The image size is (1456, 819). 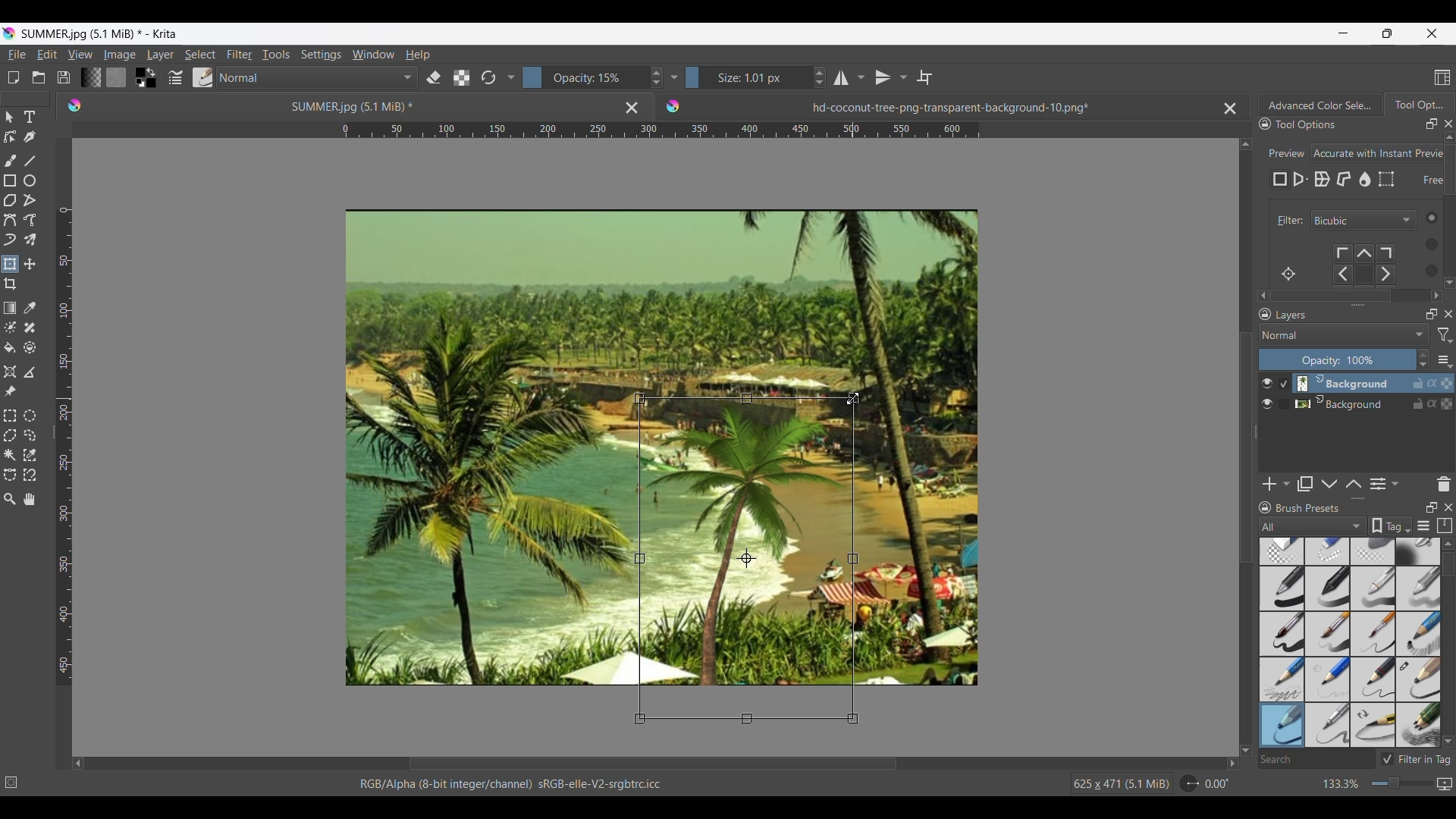 What do you see at coordinates (673, 77) in the screenshot?
I see `Opacity options` at bounding box center [673, 77].